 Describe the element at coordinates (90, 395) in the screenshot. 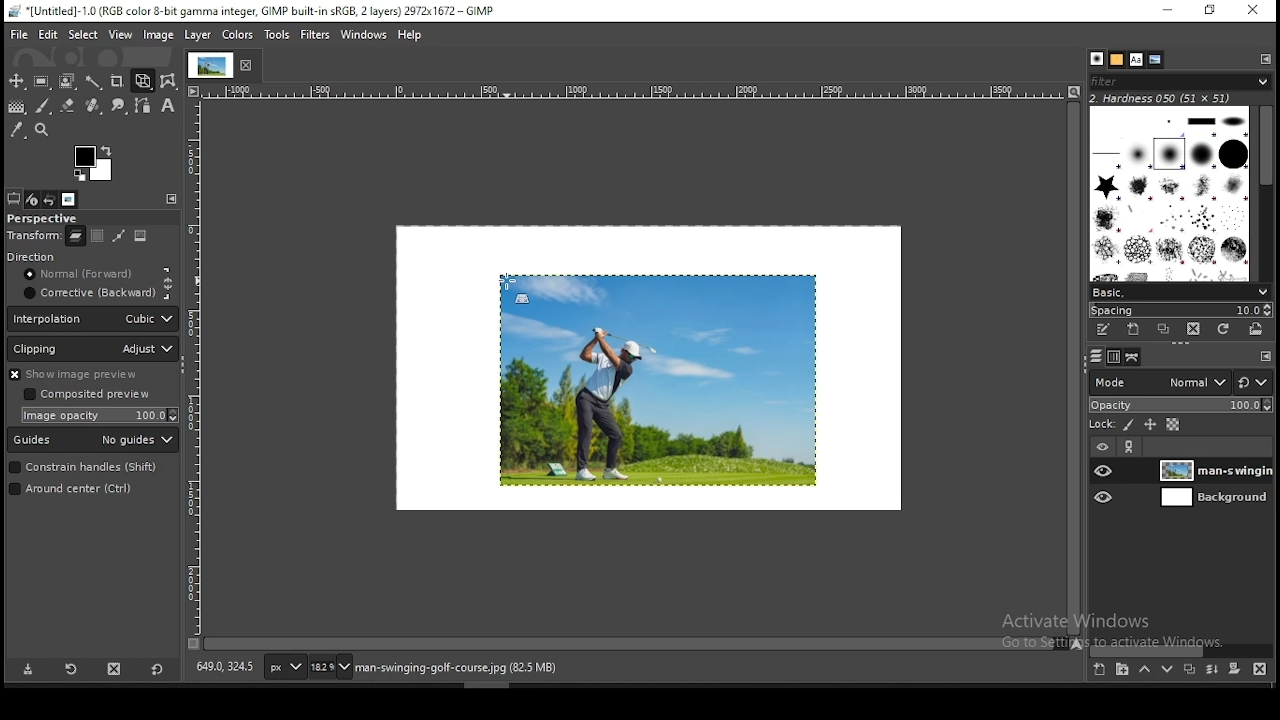

I see `composite preview` at that location.